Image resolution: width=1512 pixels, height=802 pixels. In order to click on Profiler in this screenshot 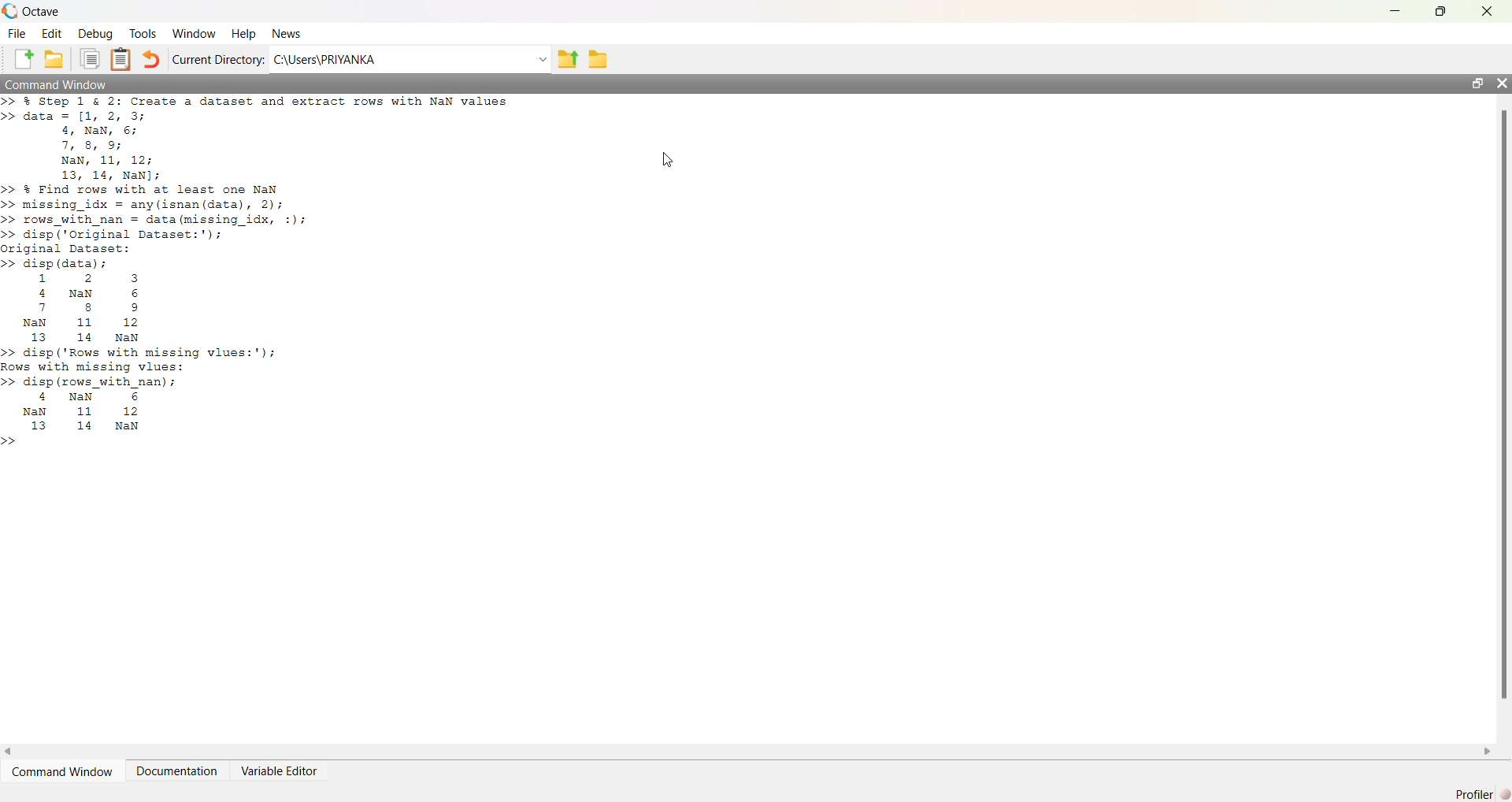, I will do `click(1482, 794)`.